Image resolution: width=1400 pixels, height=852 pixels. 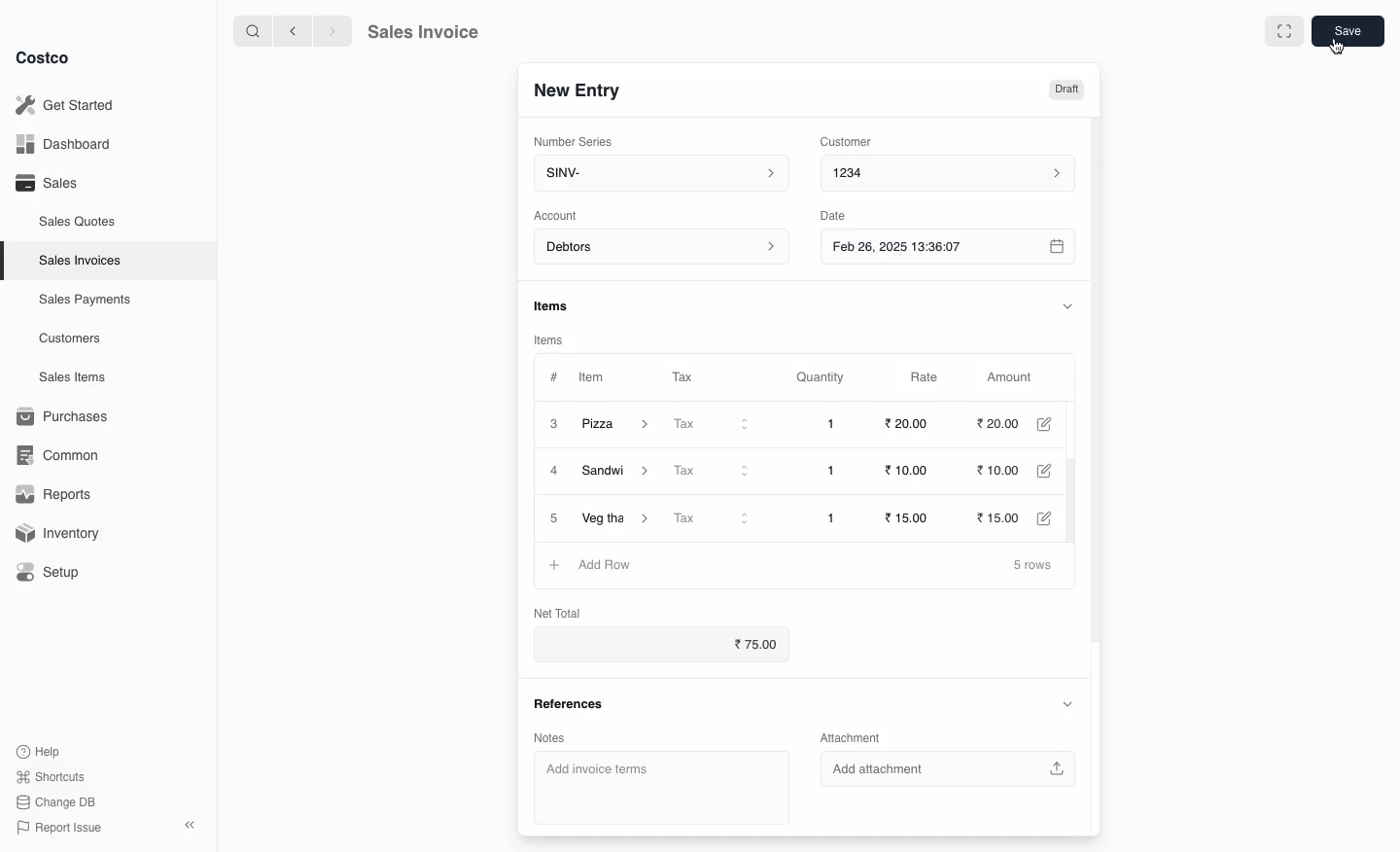 What do you see at coordinates (549, 339) in the screenshot?
I see `Items` at bounding box center [549, 339].